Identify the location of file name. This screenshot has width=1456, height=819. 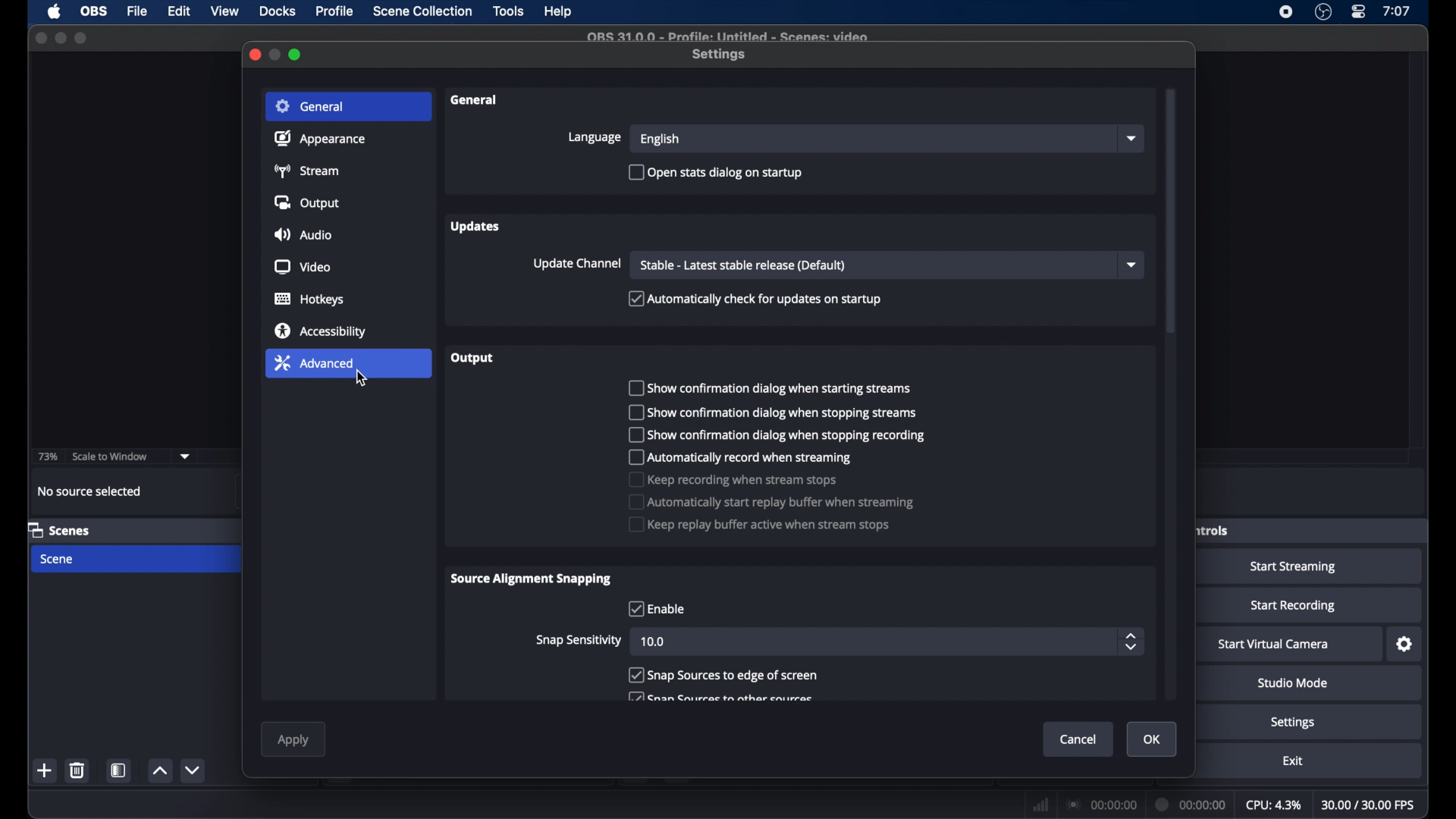
(727, 38).